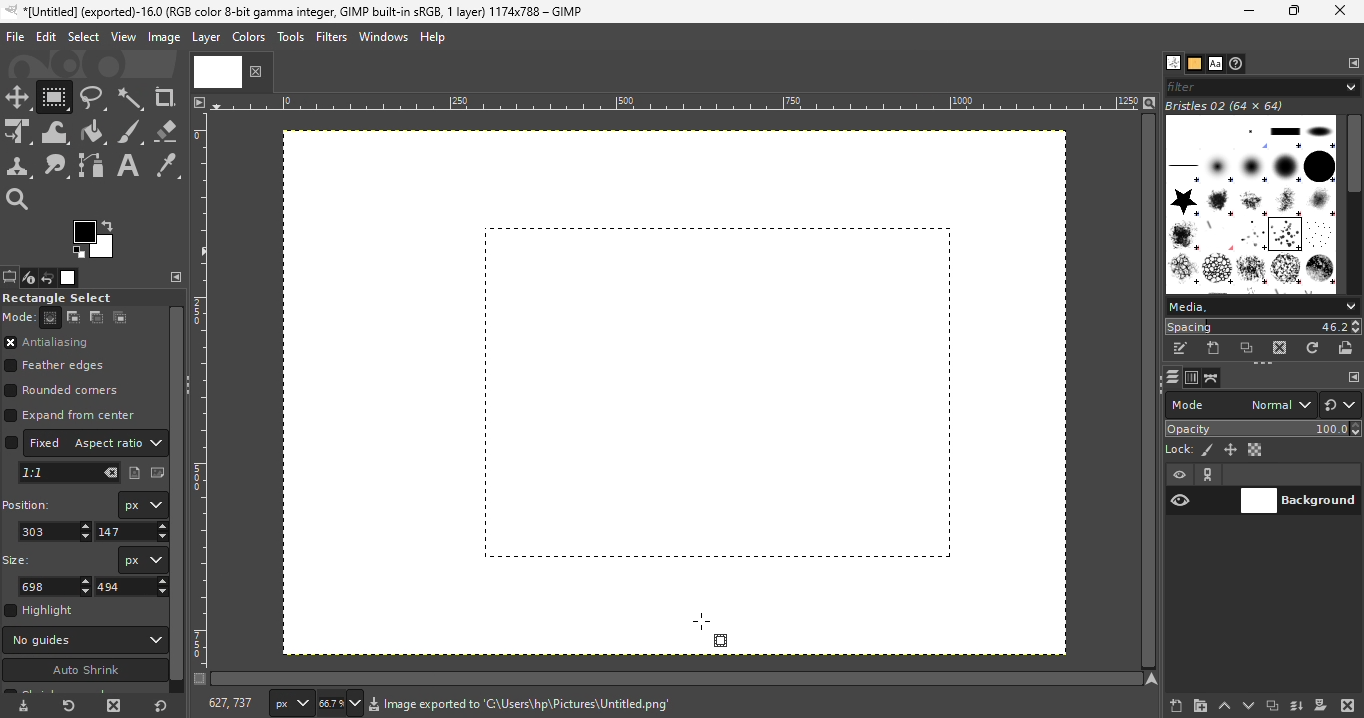 The image size is (1364, 718). Describe the element at coordinates (1264, 428) in the screenshot. I see `Opacity     100.0` at that location.